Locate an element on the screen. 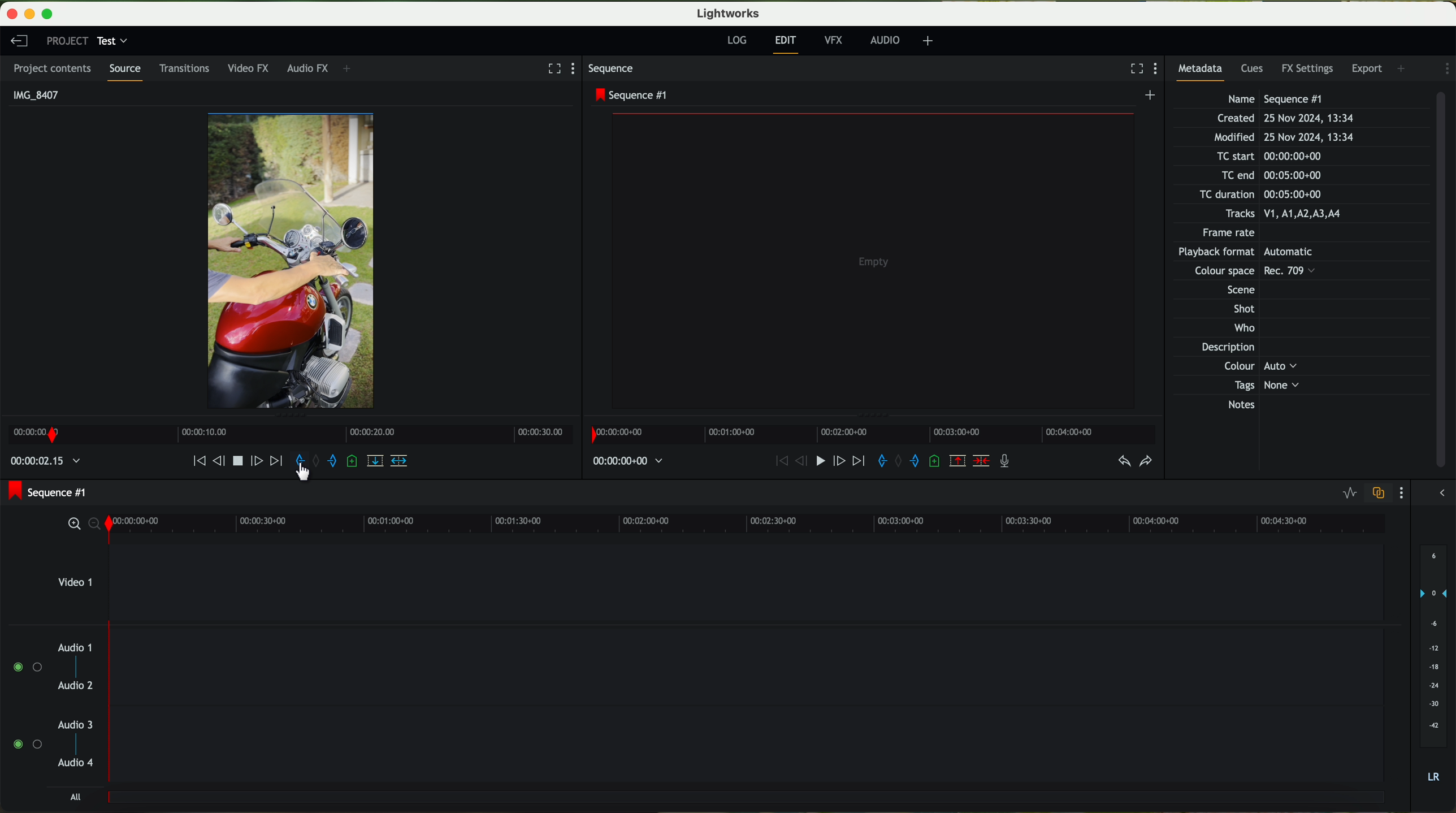 The height and width of the screenshot is (813, 1456). Created is located at coordinates (1285, 119).